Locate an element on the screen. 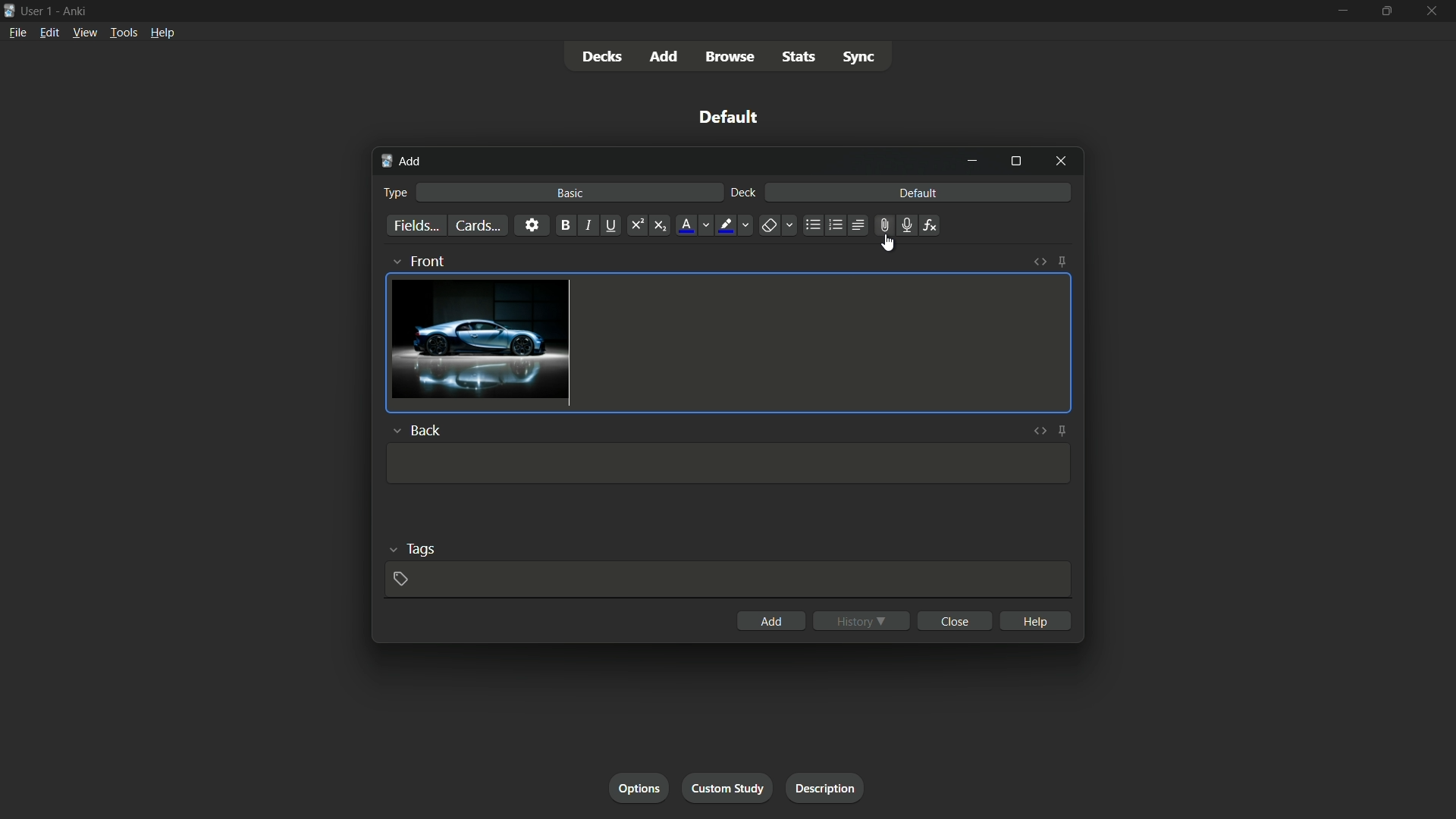  font color is located at coordinates (694, 225).